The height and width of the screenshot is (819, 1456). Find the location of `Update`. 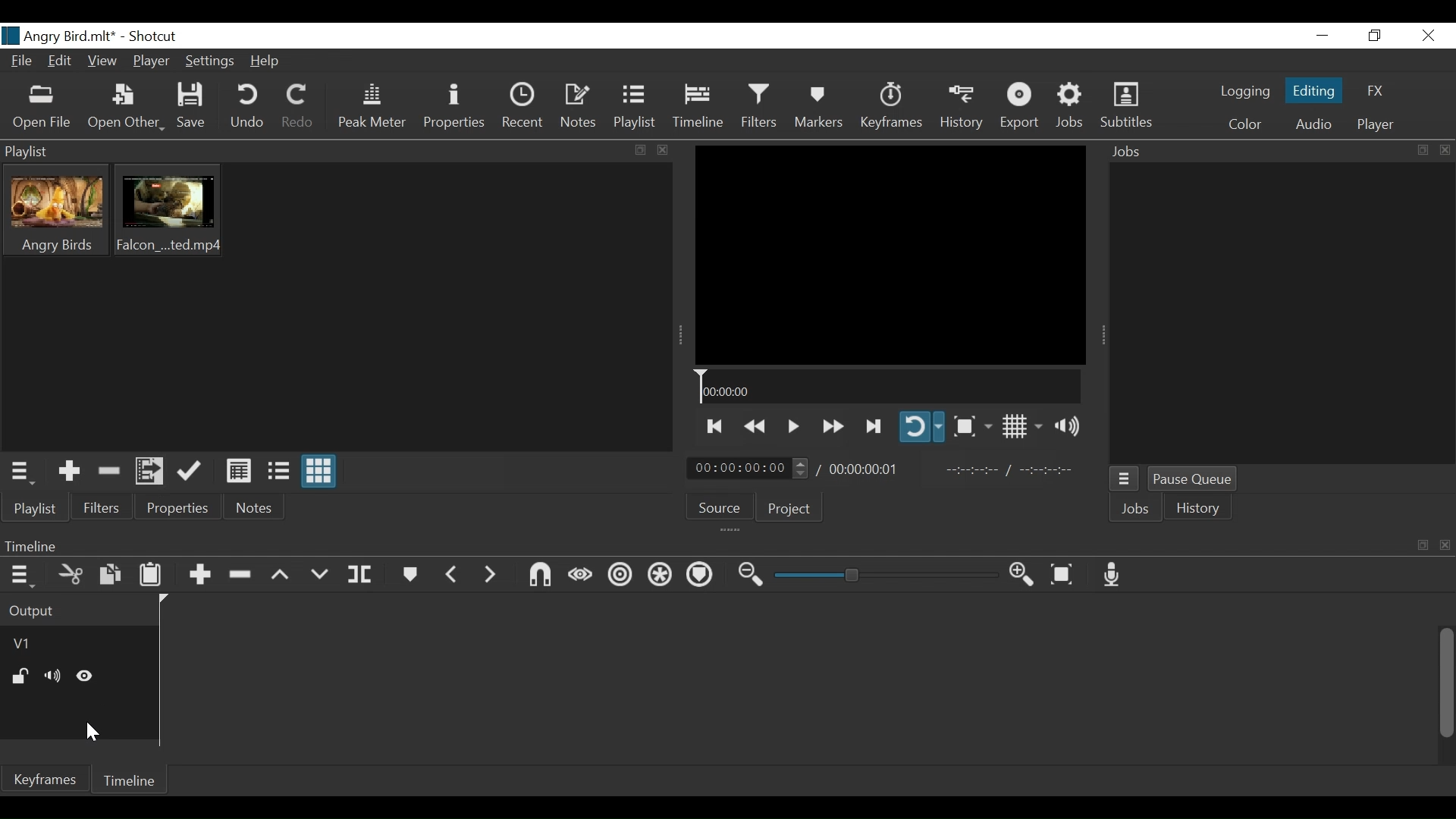

Update is located at coordinates (187, 472).